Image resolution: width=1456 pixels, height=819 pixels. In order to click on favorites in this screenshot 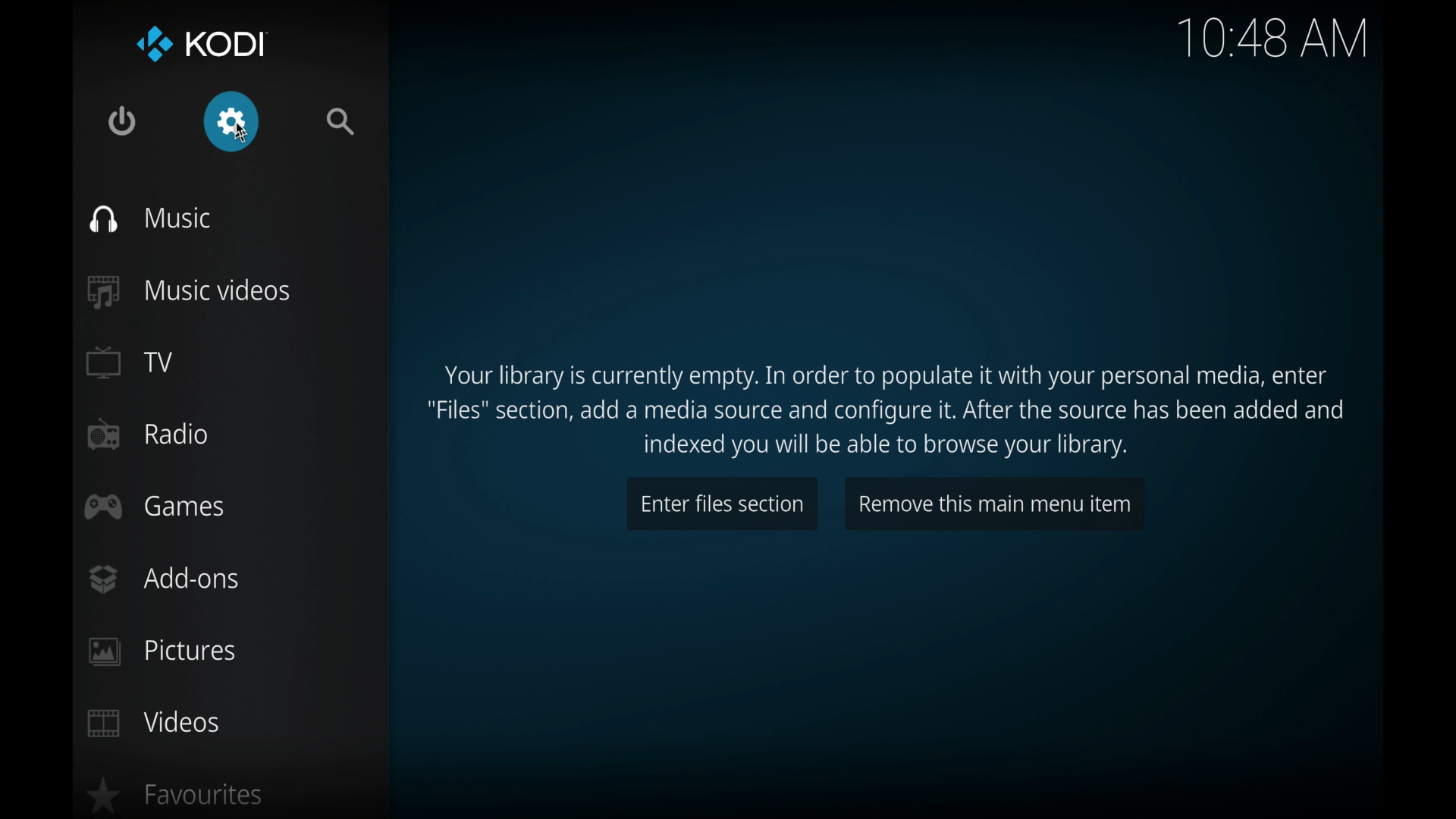, I will do `click(176, 795)`.